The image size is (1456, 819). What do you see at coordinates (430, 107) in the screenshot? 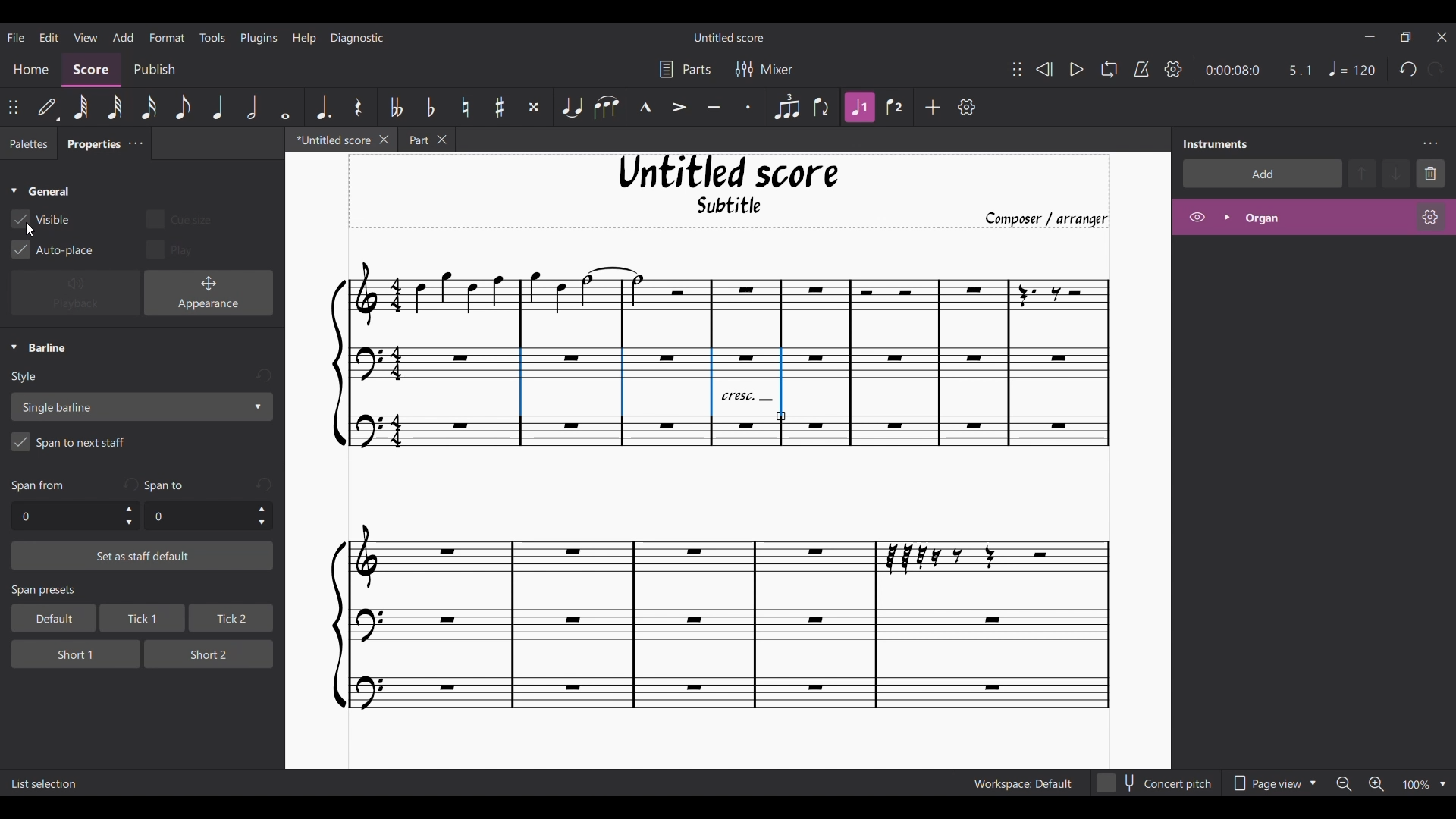
I see `Toggle flat` at bounding box center [430, 107].